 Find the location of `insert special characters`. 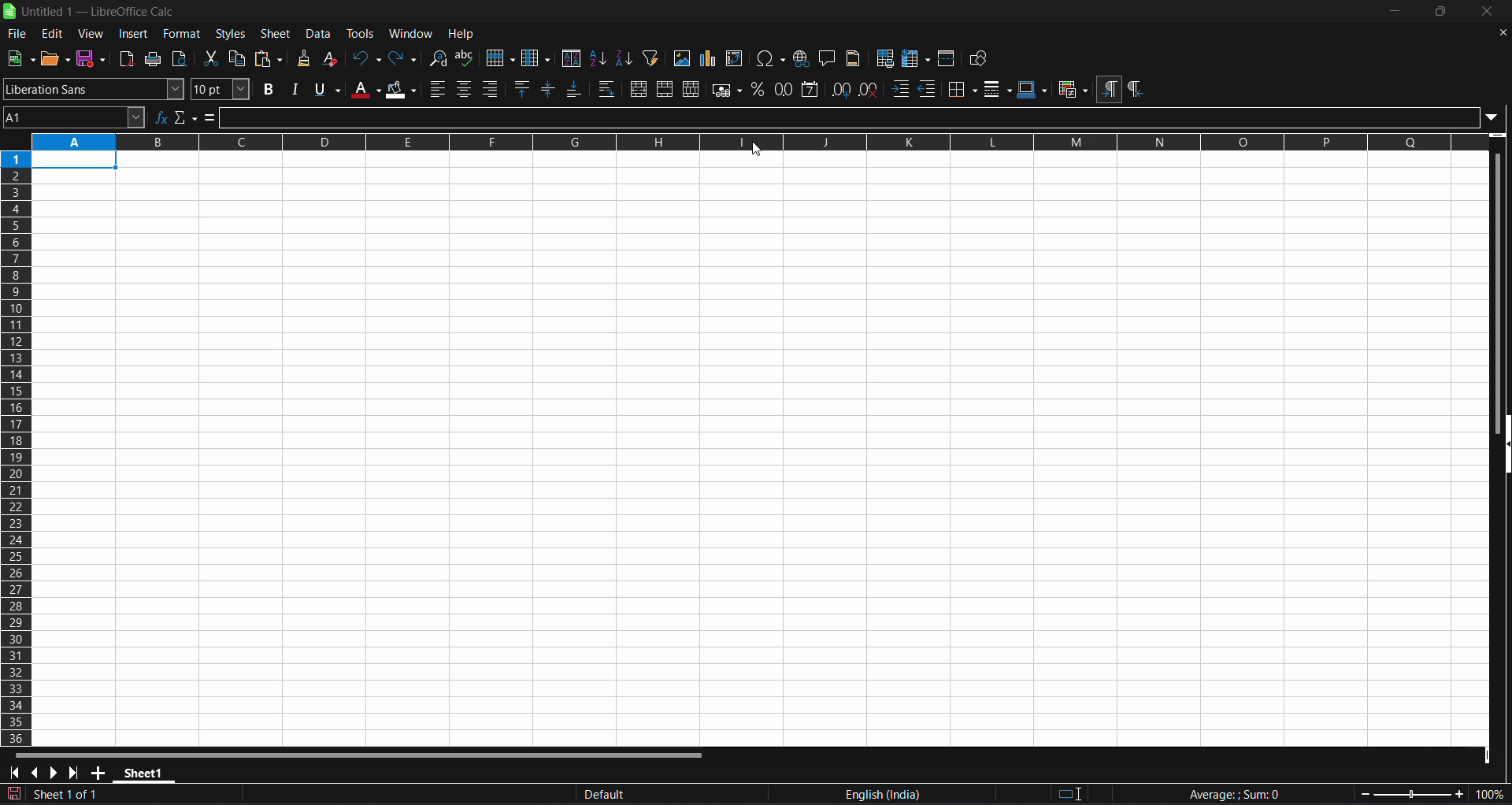

insert special characters is located at coordinates (771, 58).